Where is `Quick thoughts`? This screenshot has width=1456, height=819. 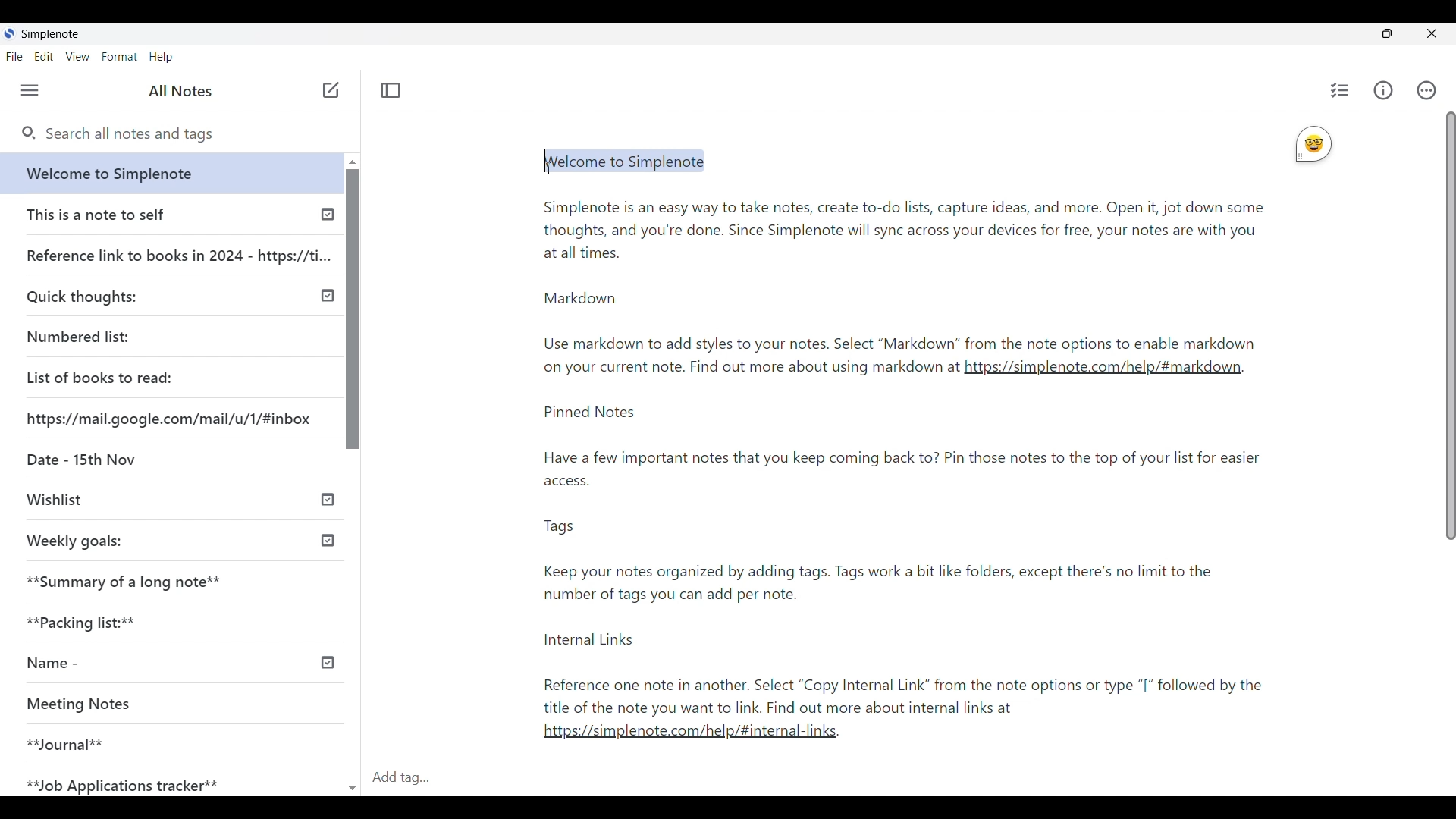
Quick thoughts is located at coordinates (82, 297).